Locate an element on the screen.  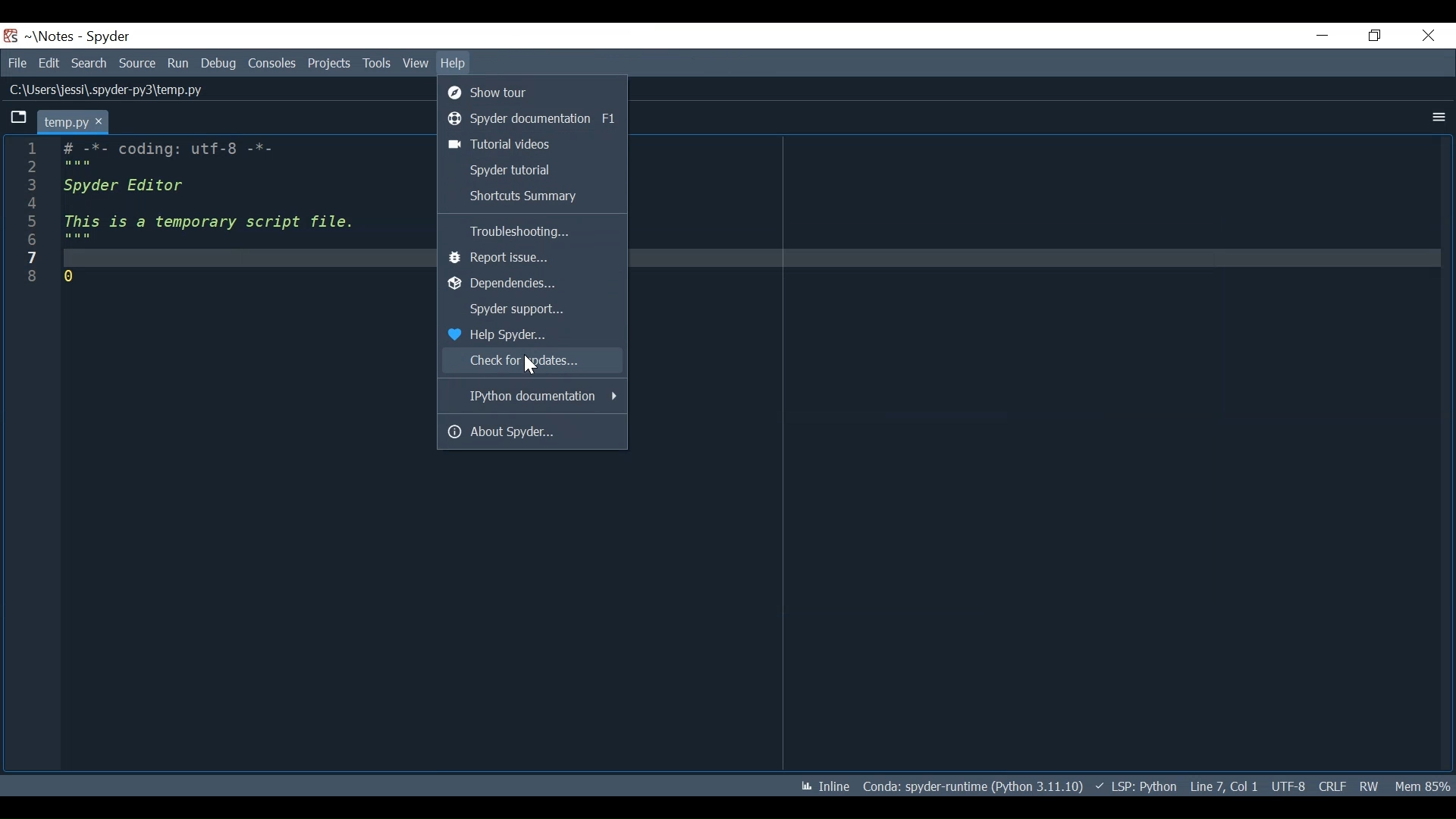
View is located at coordinates (416, 63).